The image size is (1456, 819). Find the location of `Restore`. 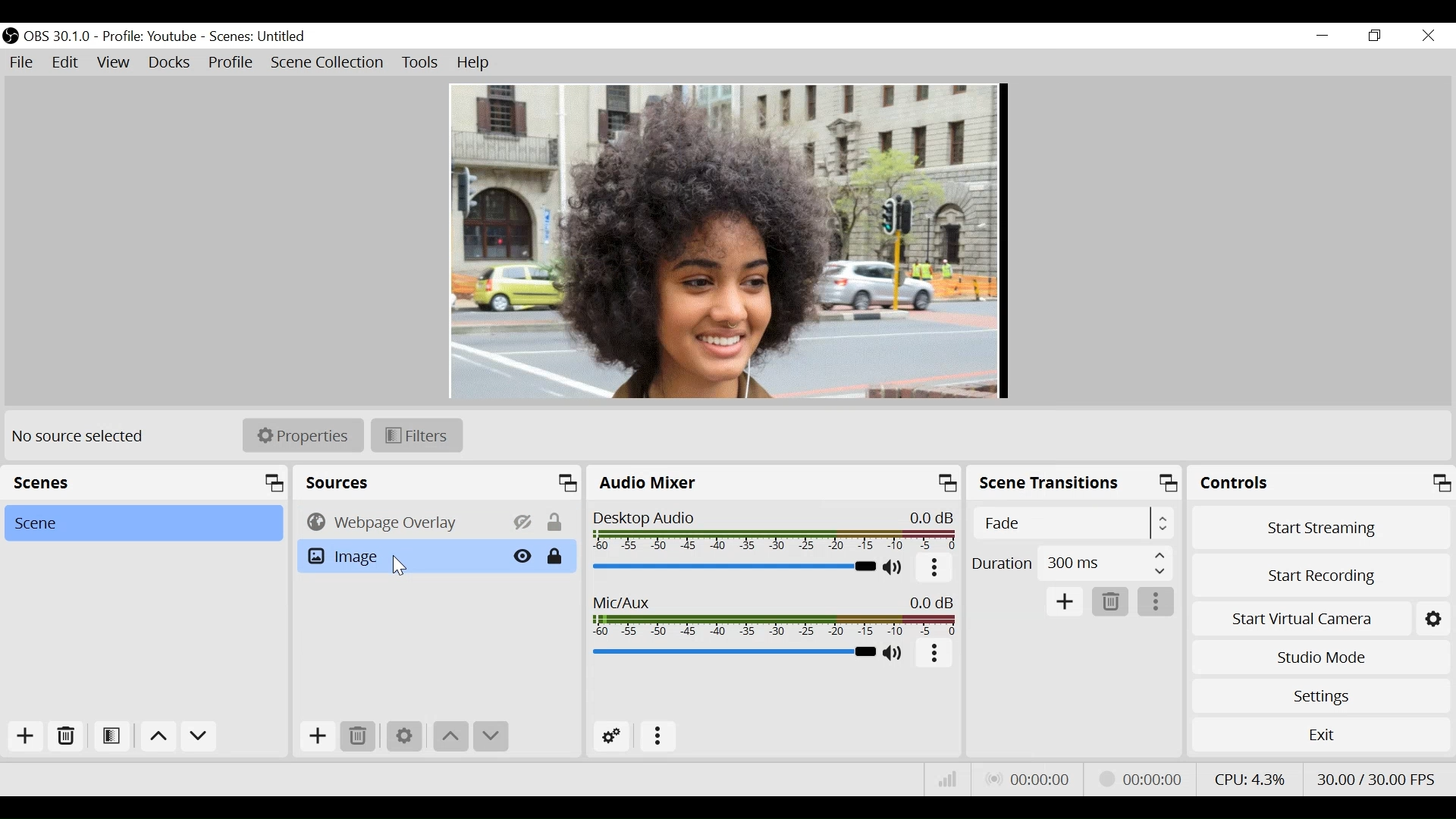

Restore is located at coordinates (1375, 36).